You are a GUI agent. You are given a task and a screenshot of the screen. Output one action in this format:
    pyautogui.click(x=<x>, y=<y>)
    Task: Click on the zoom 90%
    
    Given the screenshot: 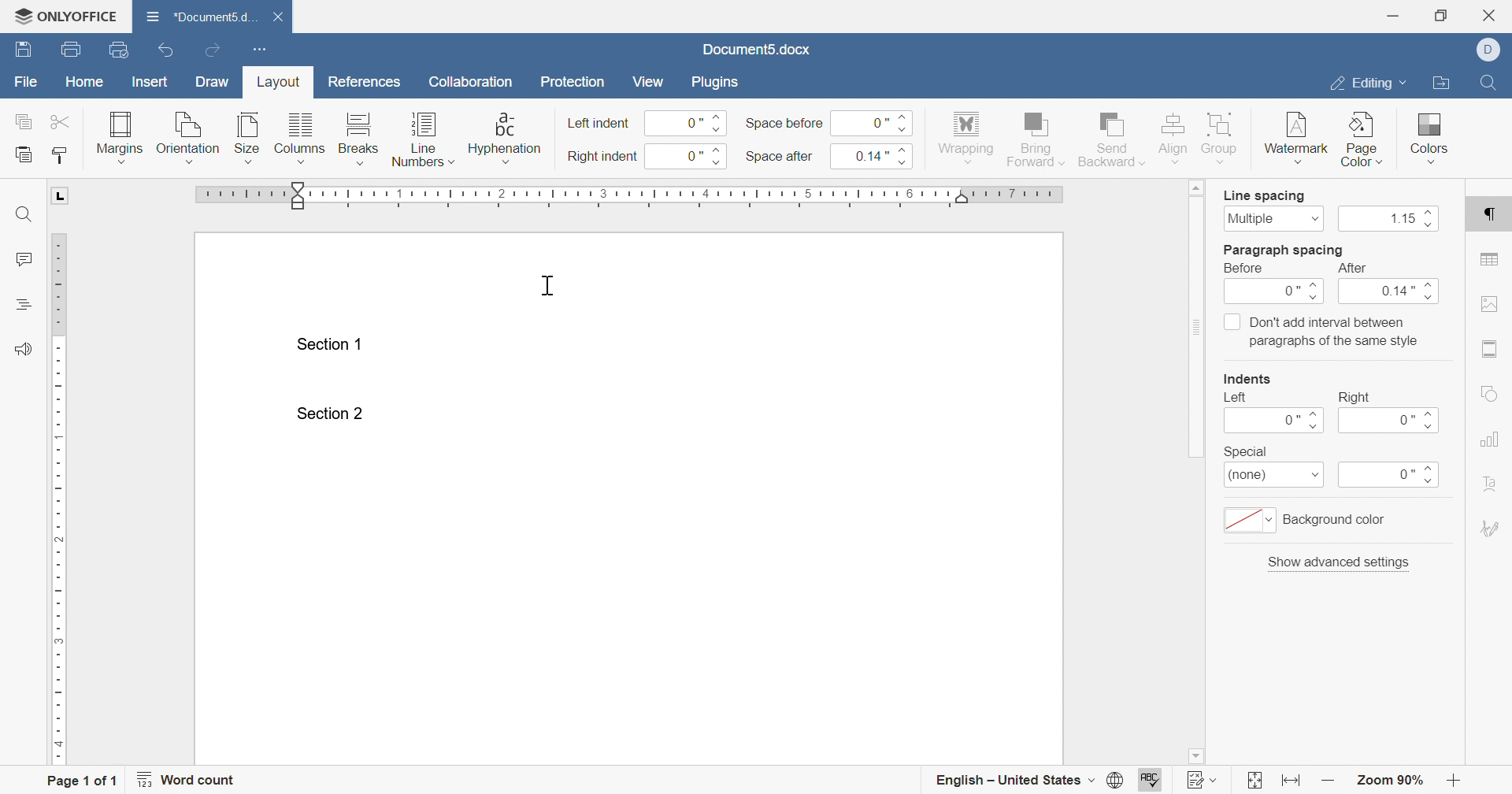 What is the action you would take?
    pyautogui.click(x=1388, y=780)
    